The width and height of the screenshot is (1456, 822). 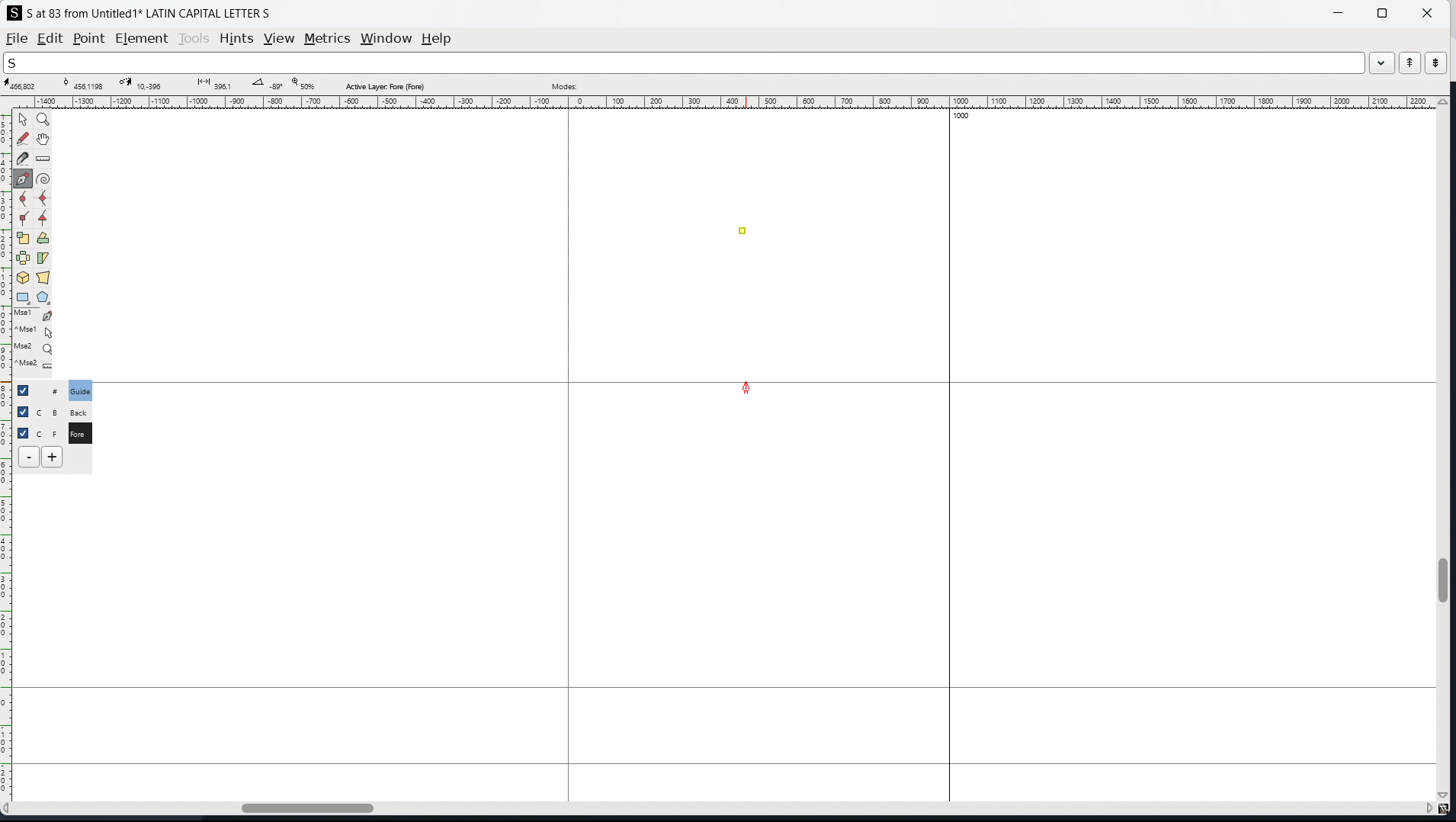 What do you see at coordinates (25, 85) in the screenshot?
I see `cursor coordinate` at bounding box center [25, 85].